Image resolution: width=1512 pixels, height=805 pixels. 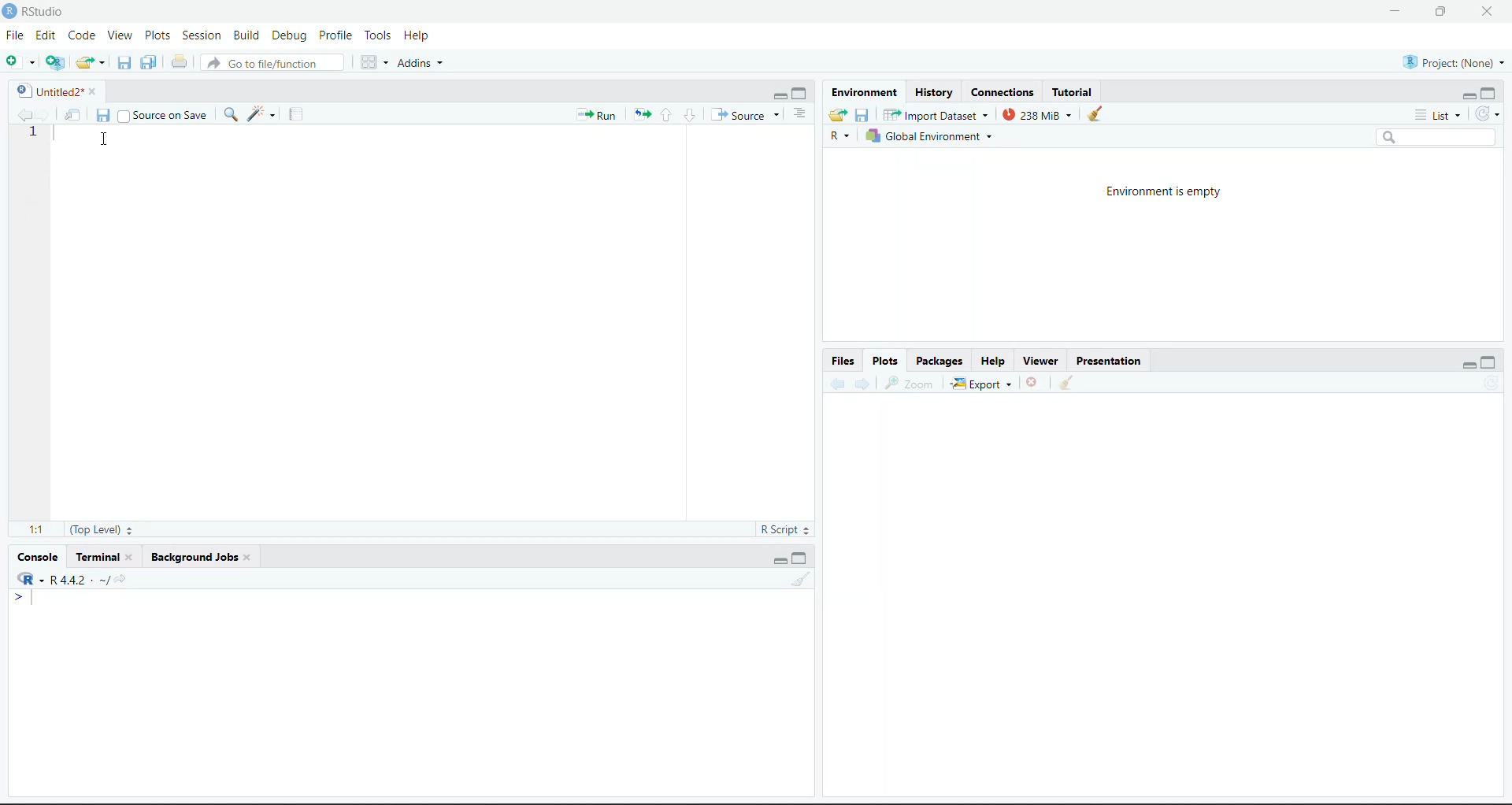 I want to click on maximize, so click(x=801, y=95).